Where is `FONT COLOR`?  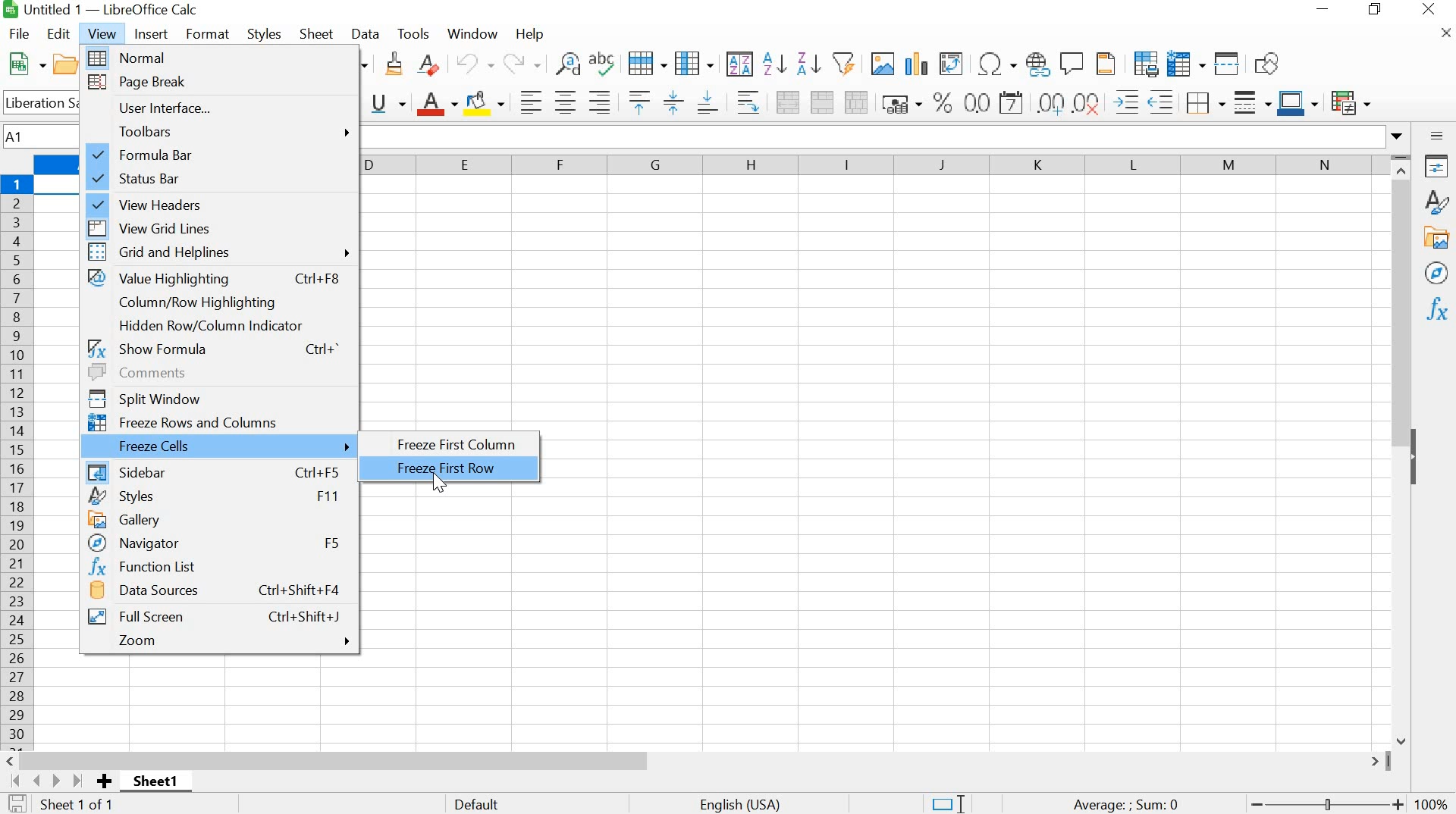 FONT COLOR is located at coordinates (436, 104).